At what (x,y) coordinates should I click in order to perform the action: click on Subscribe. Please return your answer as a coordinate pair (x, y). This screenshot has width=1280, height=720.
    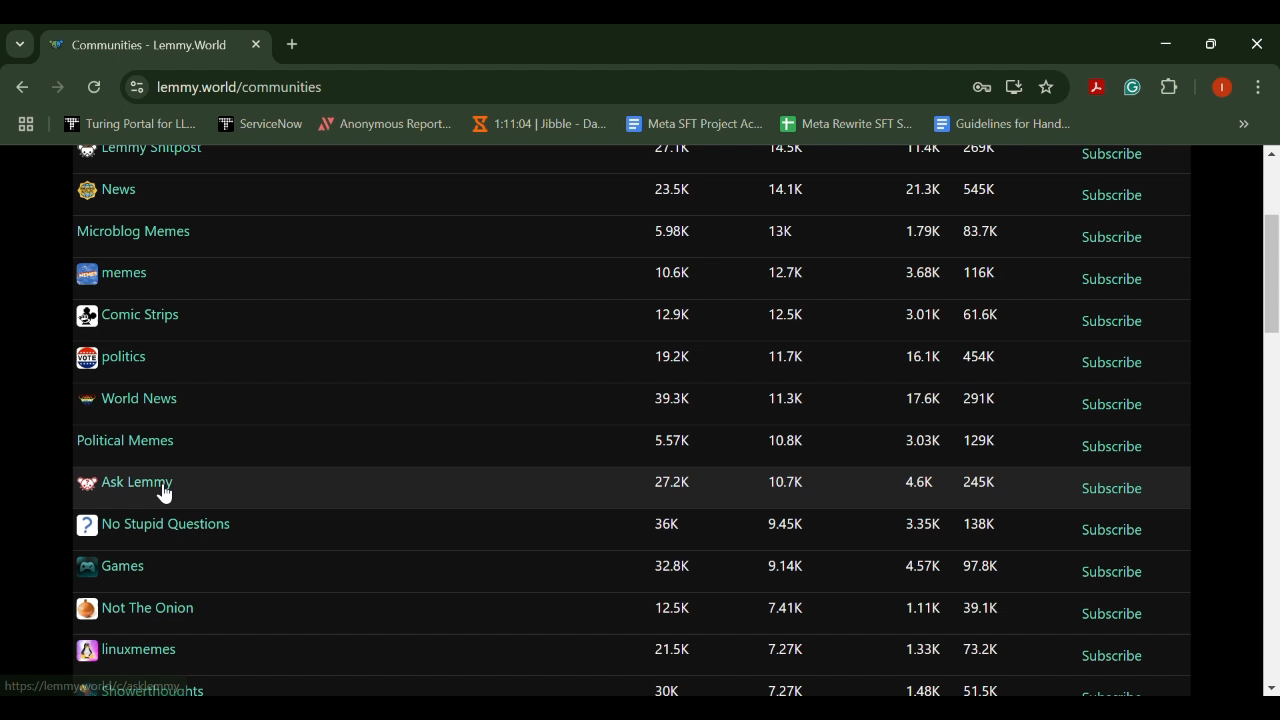
    Looking at the image, I should click on (1110, 280).